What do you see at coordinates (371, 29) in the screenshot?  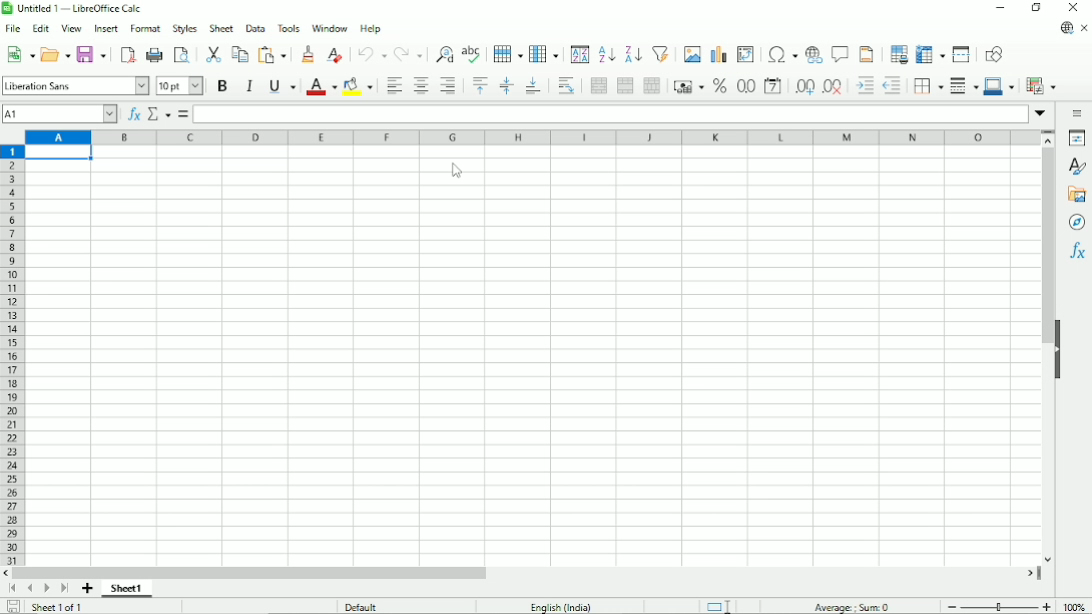 I see `Help` at bounding box center [371, 29].